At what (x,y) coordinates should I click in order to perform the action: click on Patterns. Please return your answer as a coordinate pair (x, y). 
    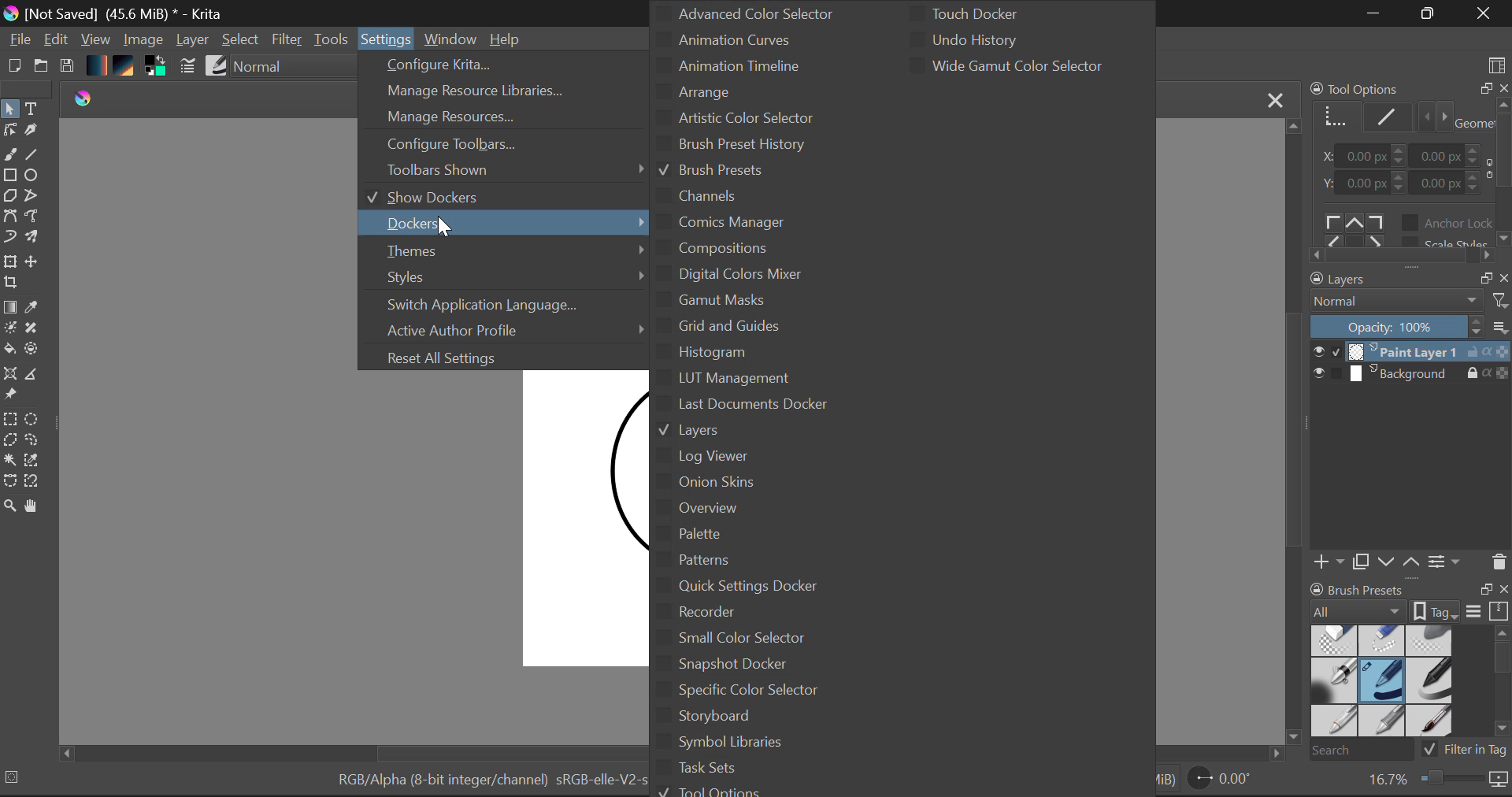
    Looking at the image, I should click on (780, 559).